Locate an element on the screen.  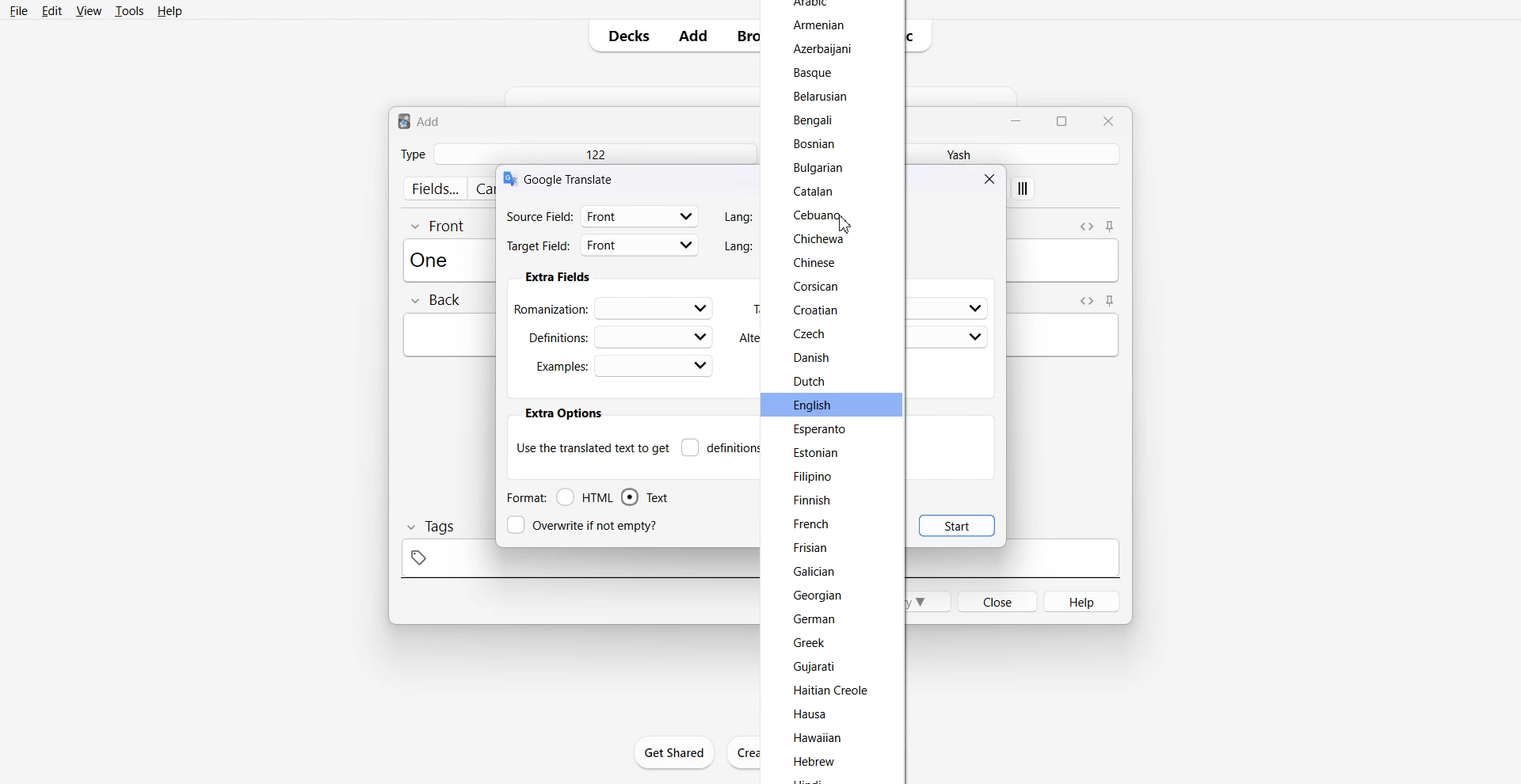
Minimize is located at coordinates (1018, 120).